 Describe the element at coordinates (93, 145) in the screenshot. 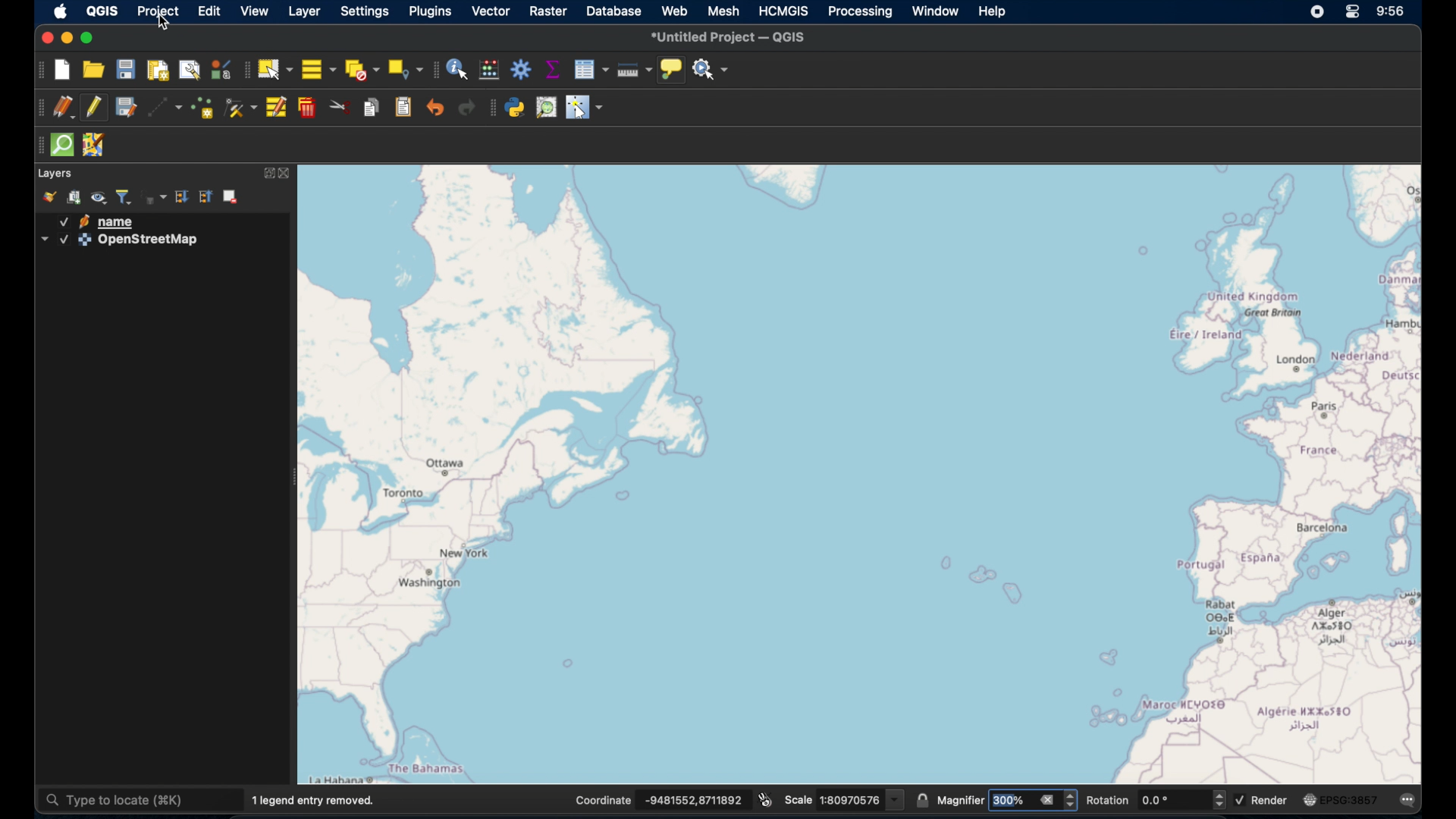

I see `jsom remote` at that location.